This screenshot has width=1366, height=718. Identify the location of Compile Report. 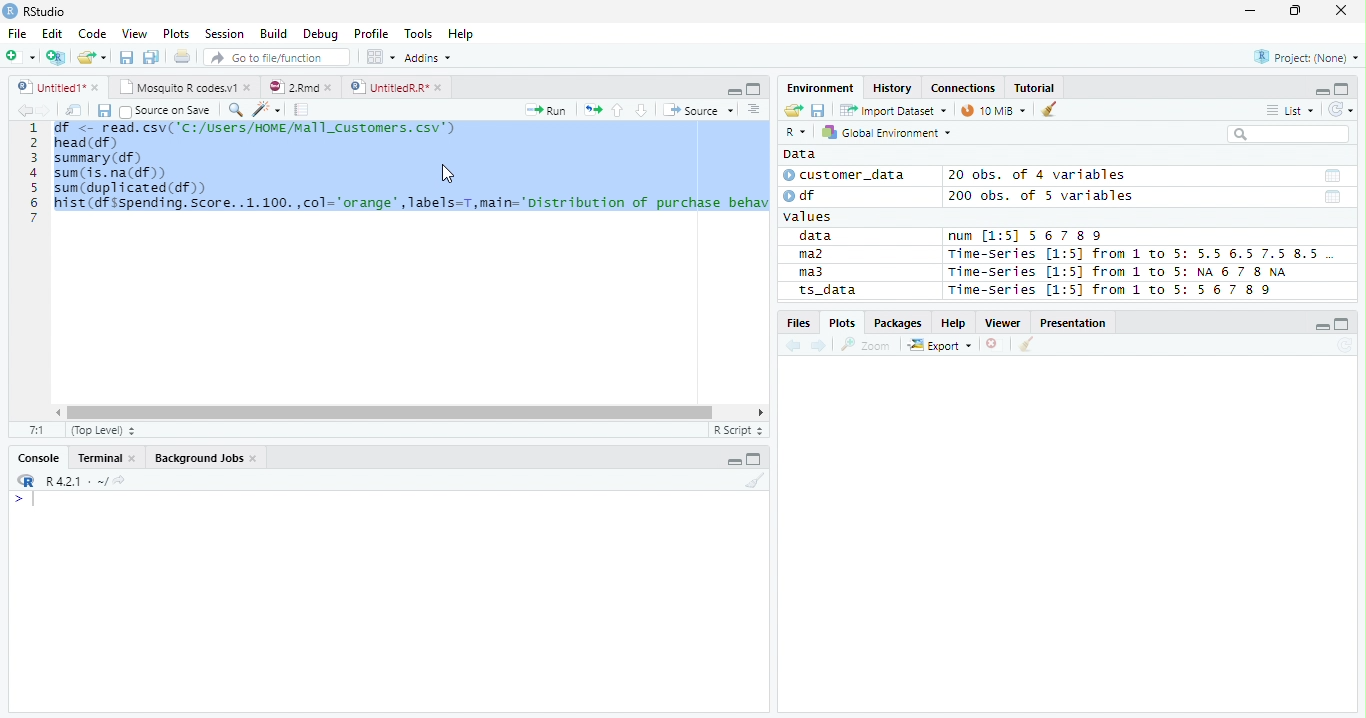
(302, 110).